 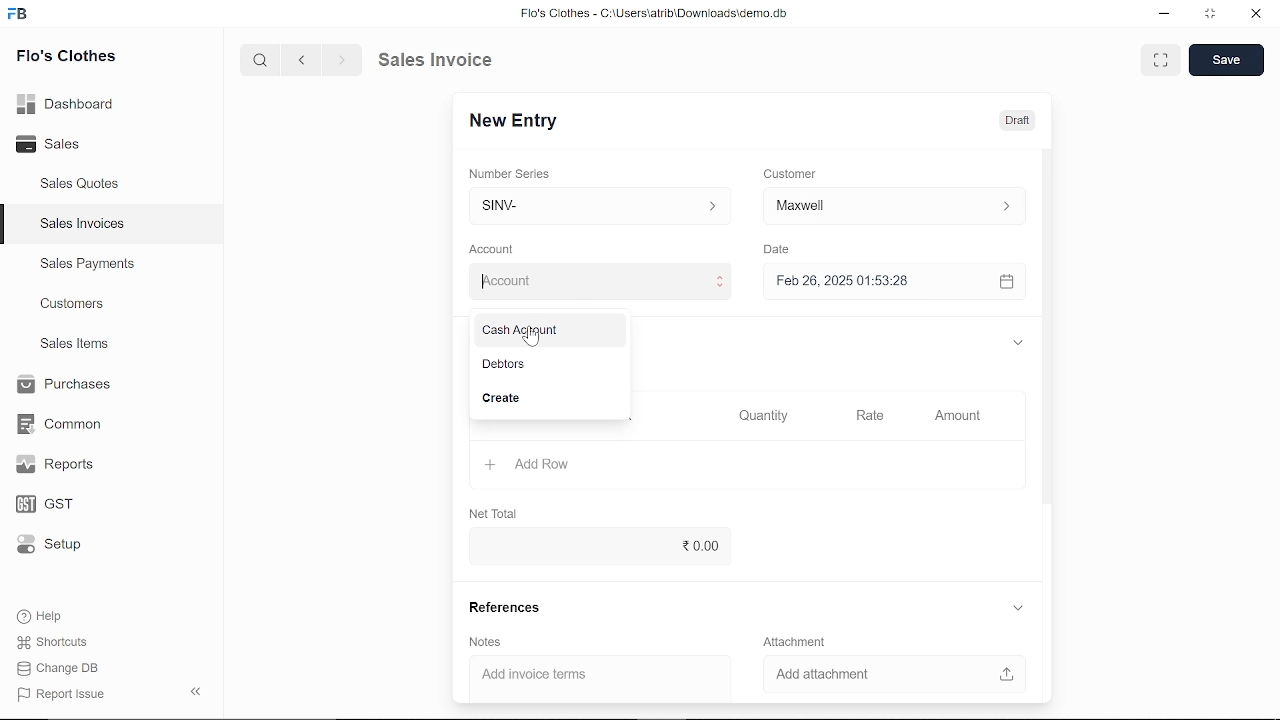 What do you see at coordinates (792, 173) in the screenshot?
I see `Customer` at bounding box center [792, 173].